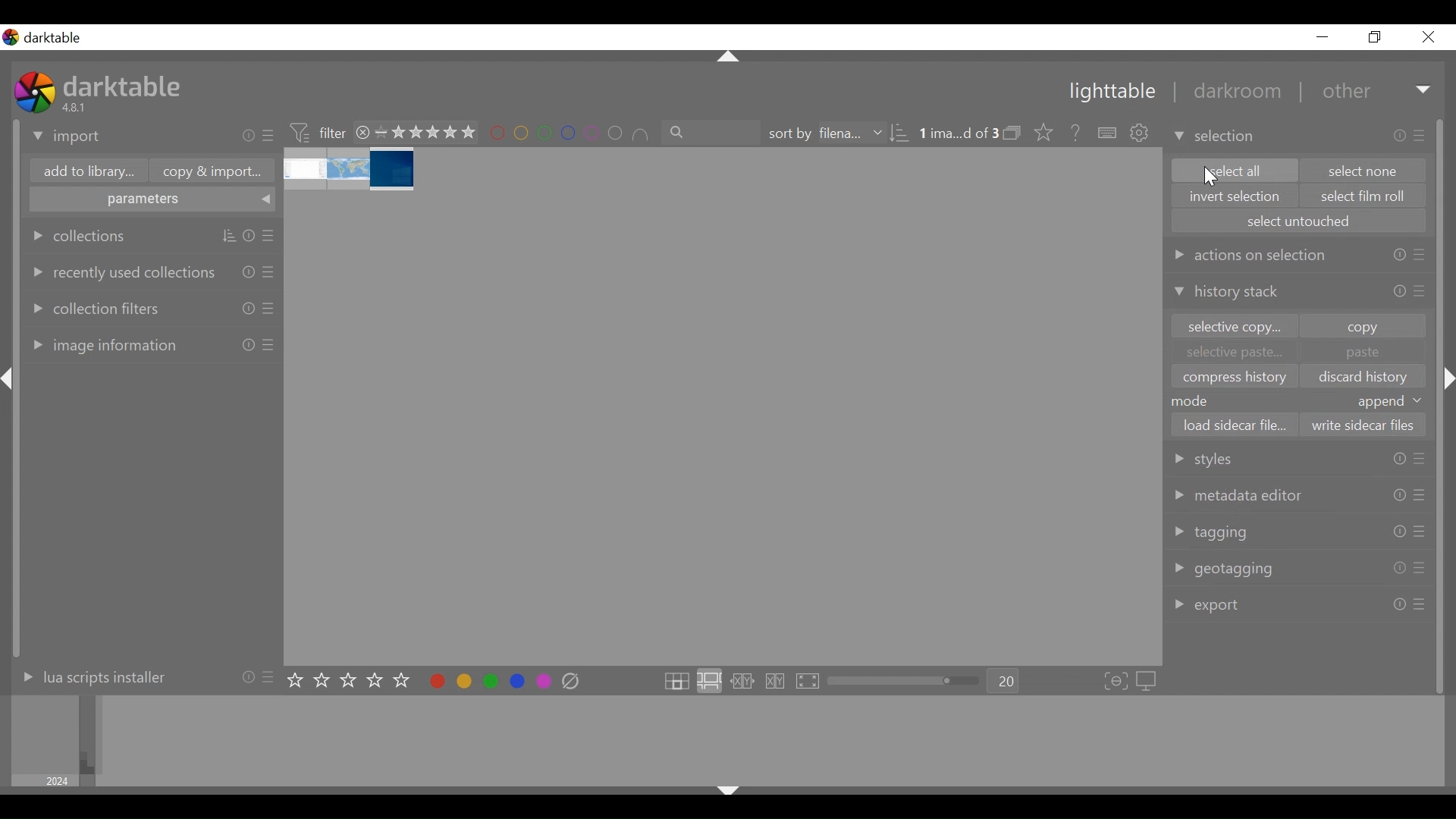 The height and width of the screenshot is (819, 1456). I want to click on filter by text, so click(712, 133).